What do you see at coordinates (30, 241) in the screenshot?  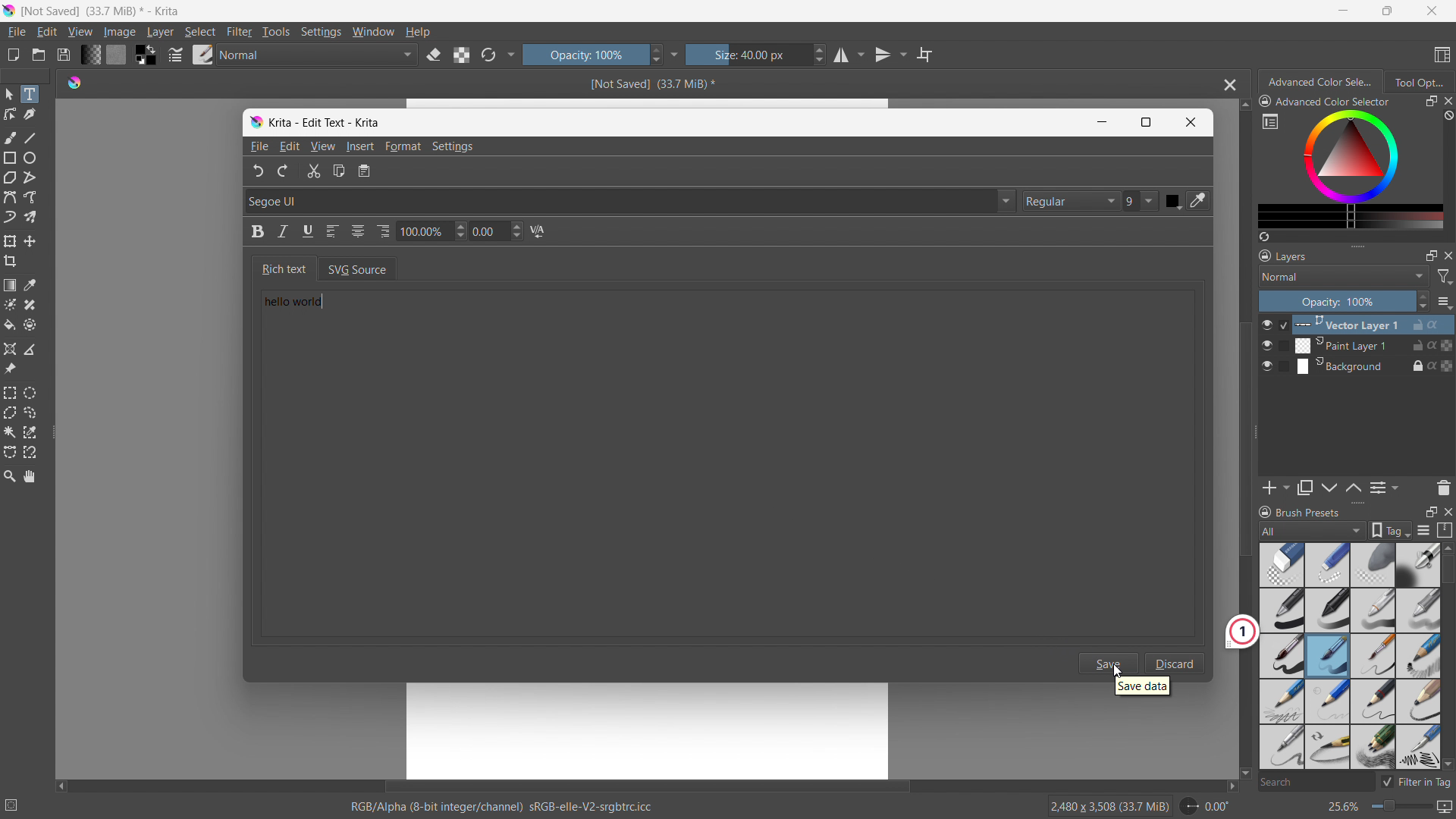 I see `move to a layer` at bounding box center [30, 241].